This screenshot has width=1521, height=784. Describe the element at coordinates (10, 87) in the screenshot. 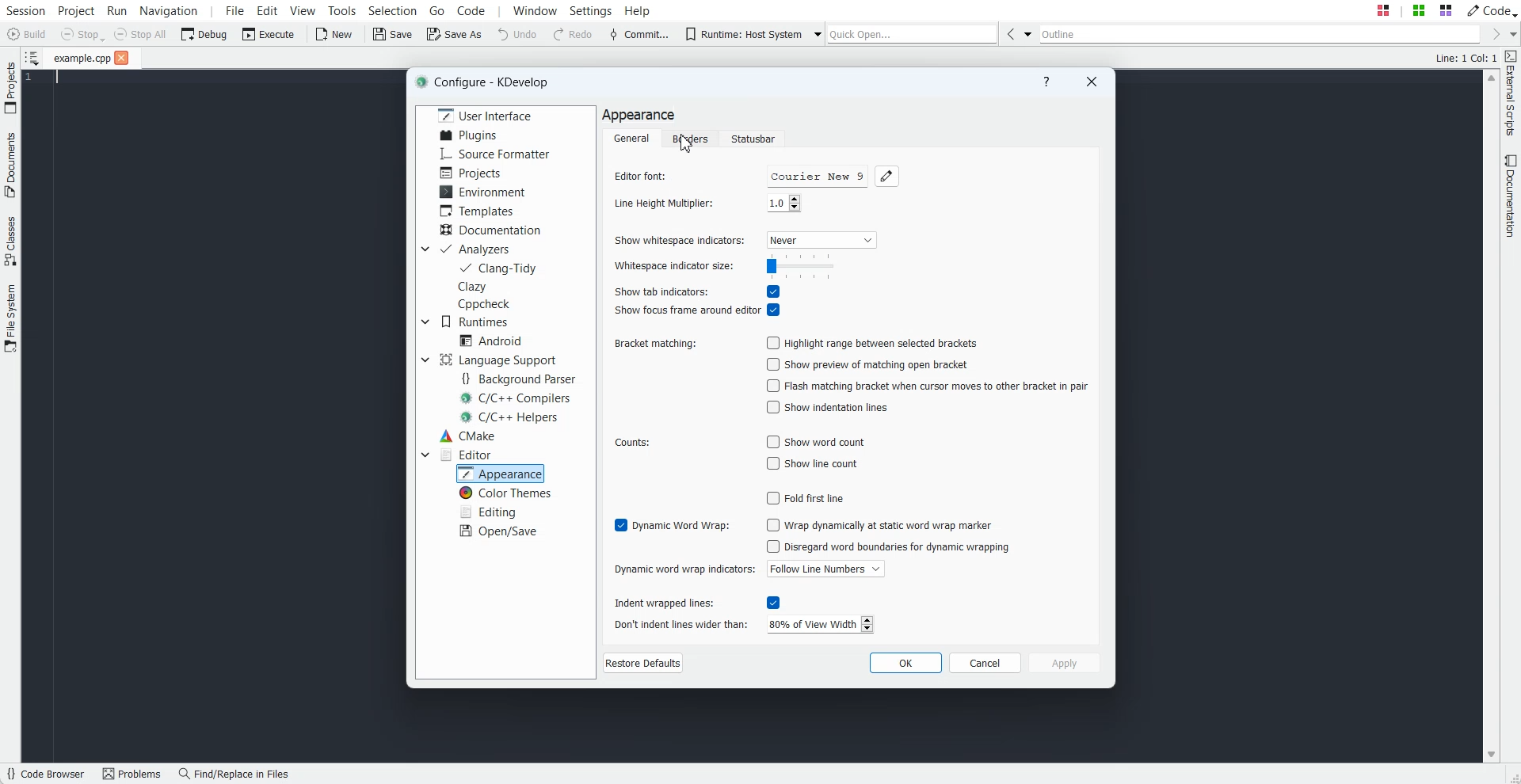

I see `Projects` at that location.